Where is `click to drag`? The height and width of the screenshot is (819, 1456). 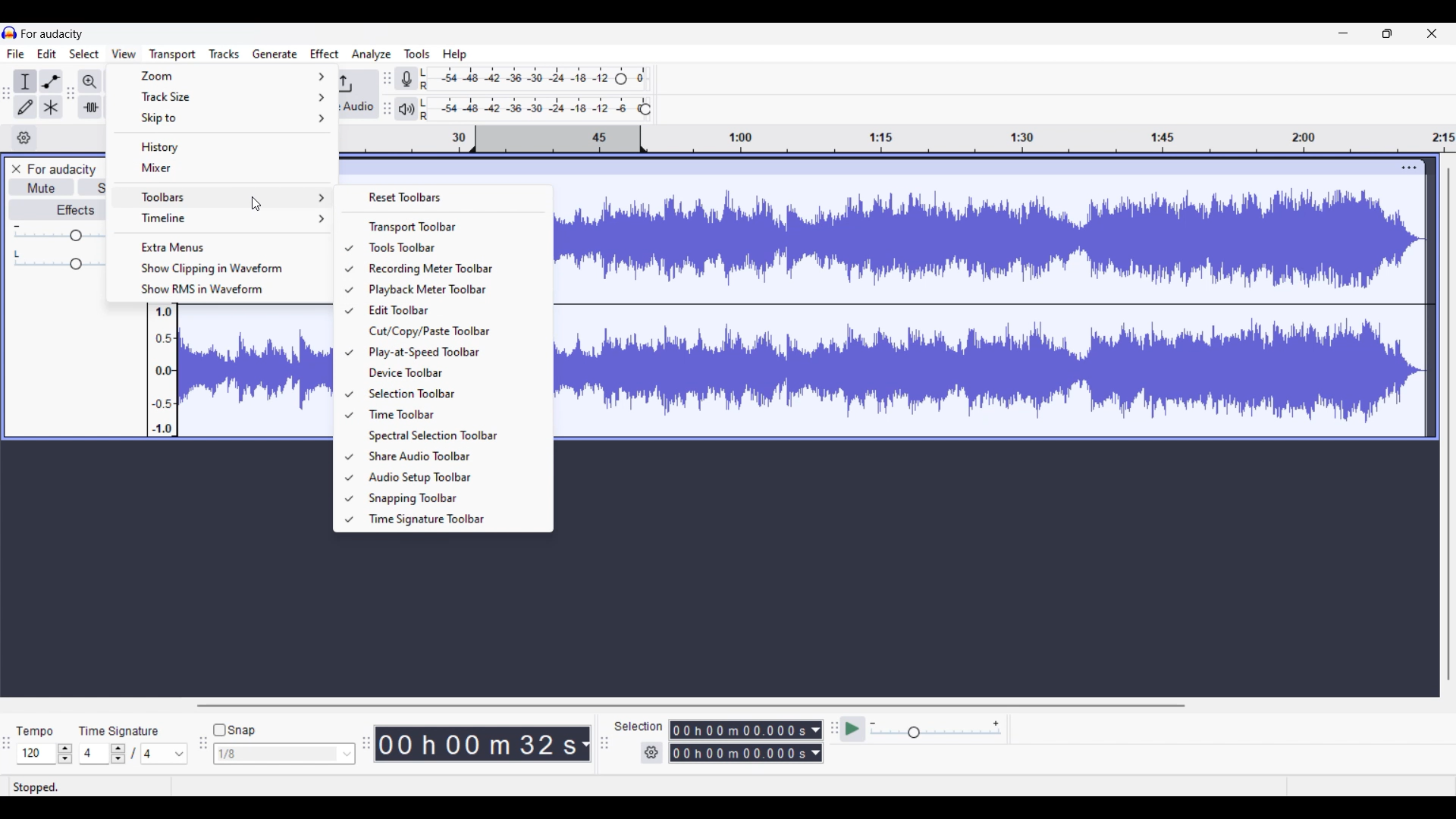 click to drag is located at coordinates (869, 168).